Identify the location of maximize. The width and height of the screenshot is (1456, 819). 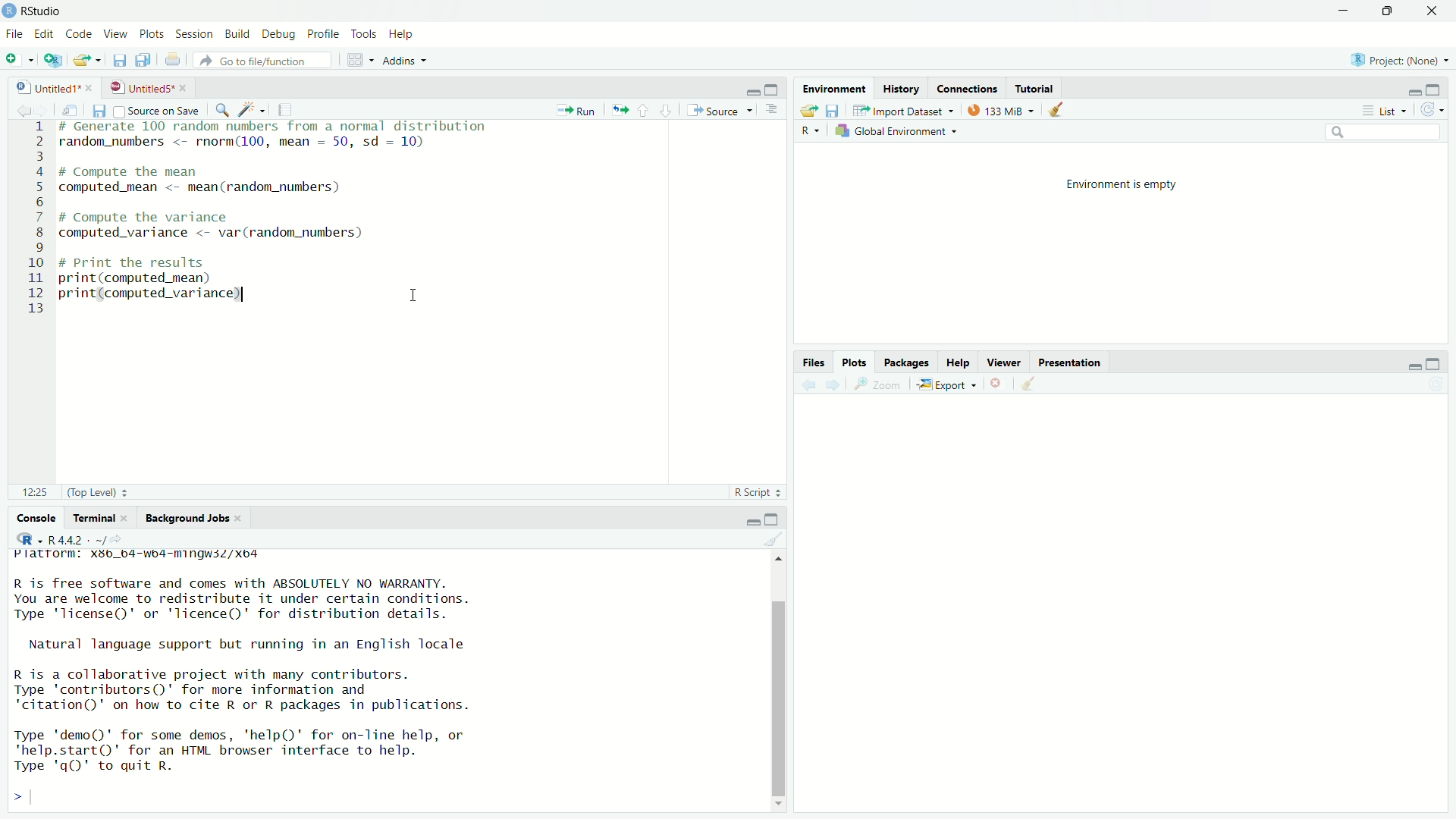
(1441, 362).